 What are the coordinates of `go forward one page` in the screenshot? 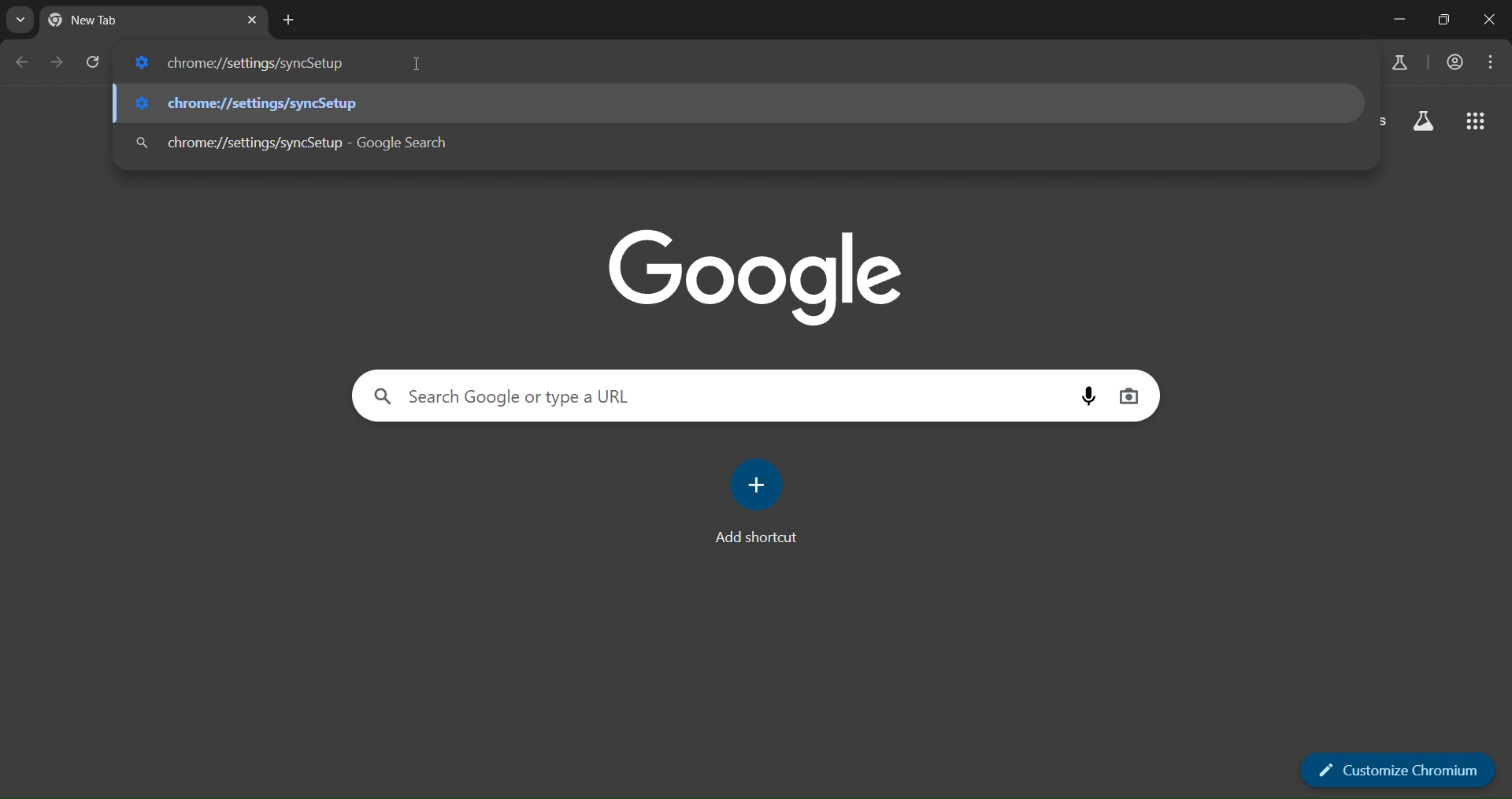 It's located at (61, 62).